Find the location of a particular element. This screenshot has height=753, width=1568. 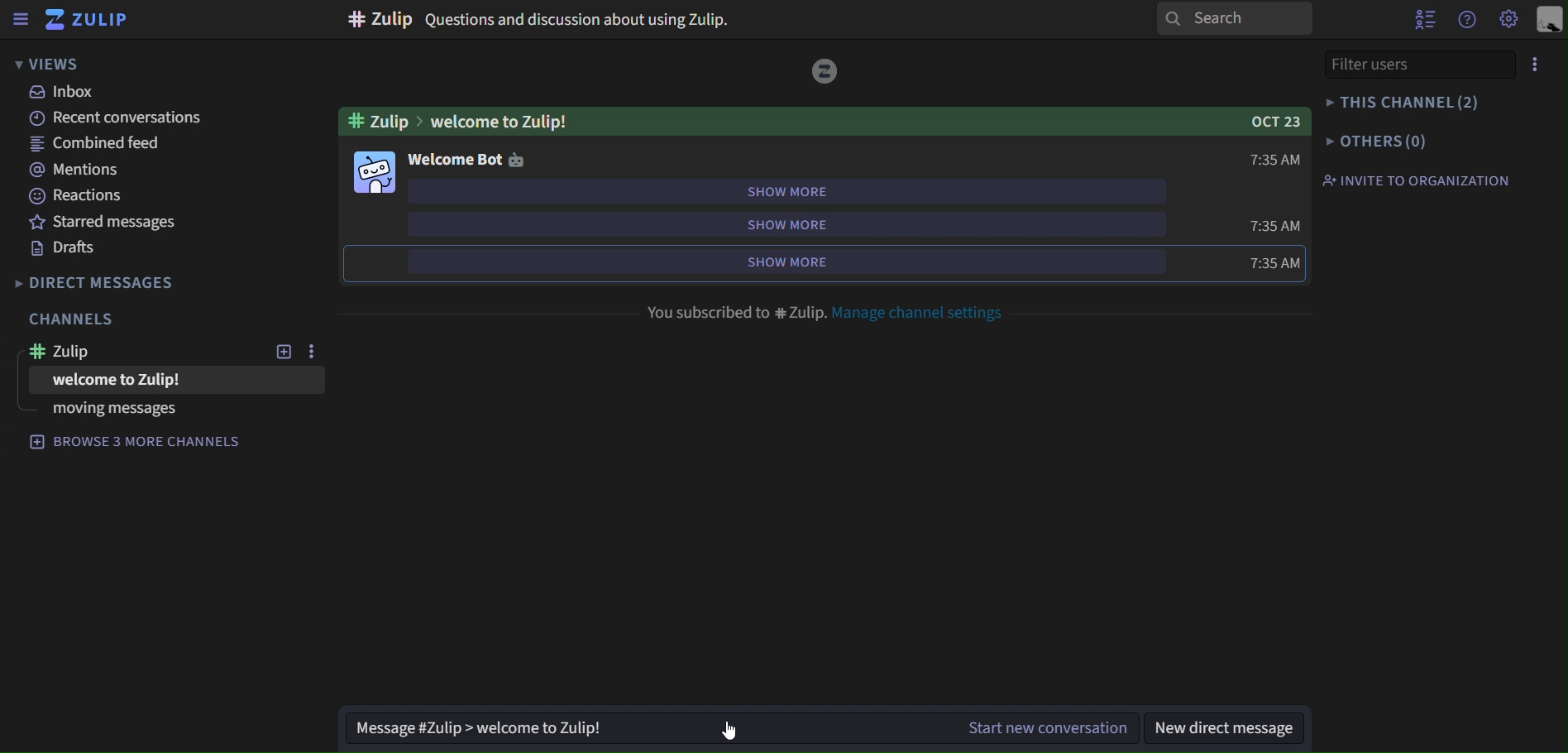

drafts is located at coordinates (63, 248).